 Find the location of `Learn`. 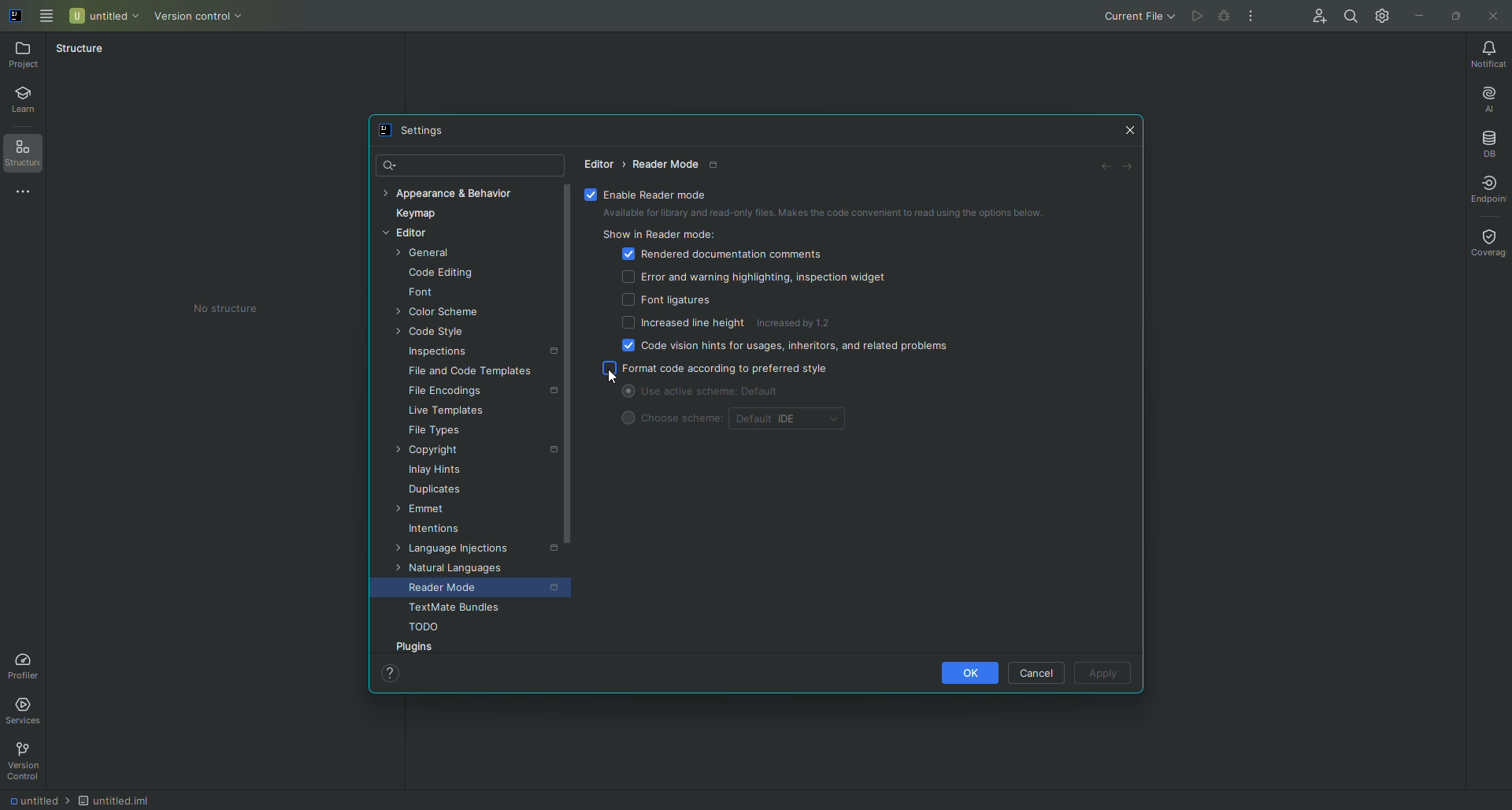

Learn is located at coordinates (28, 96).